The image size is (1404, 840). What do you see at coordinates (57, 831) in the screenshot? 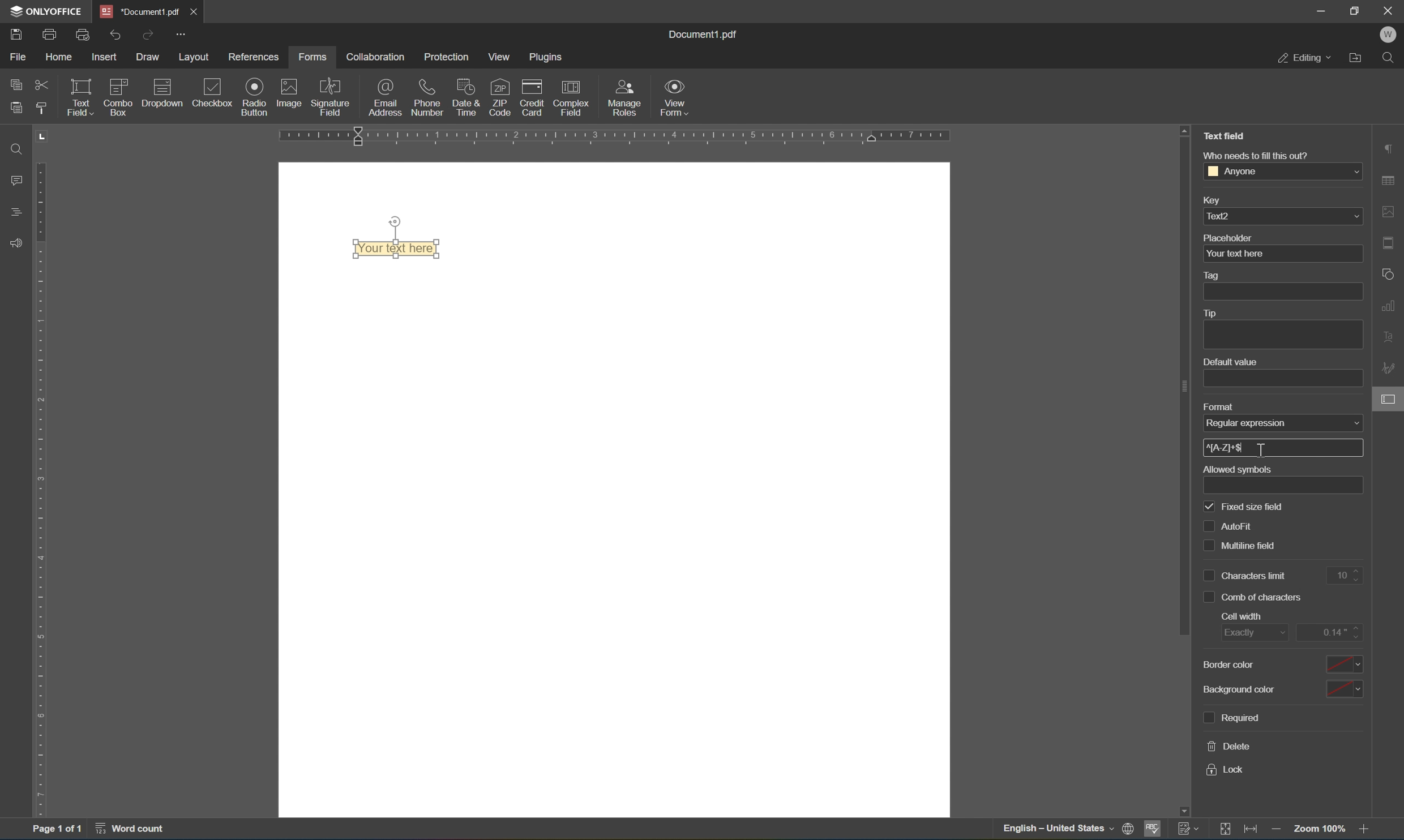
I see `page 1 of 1` at bounding box center [57, 831].